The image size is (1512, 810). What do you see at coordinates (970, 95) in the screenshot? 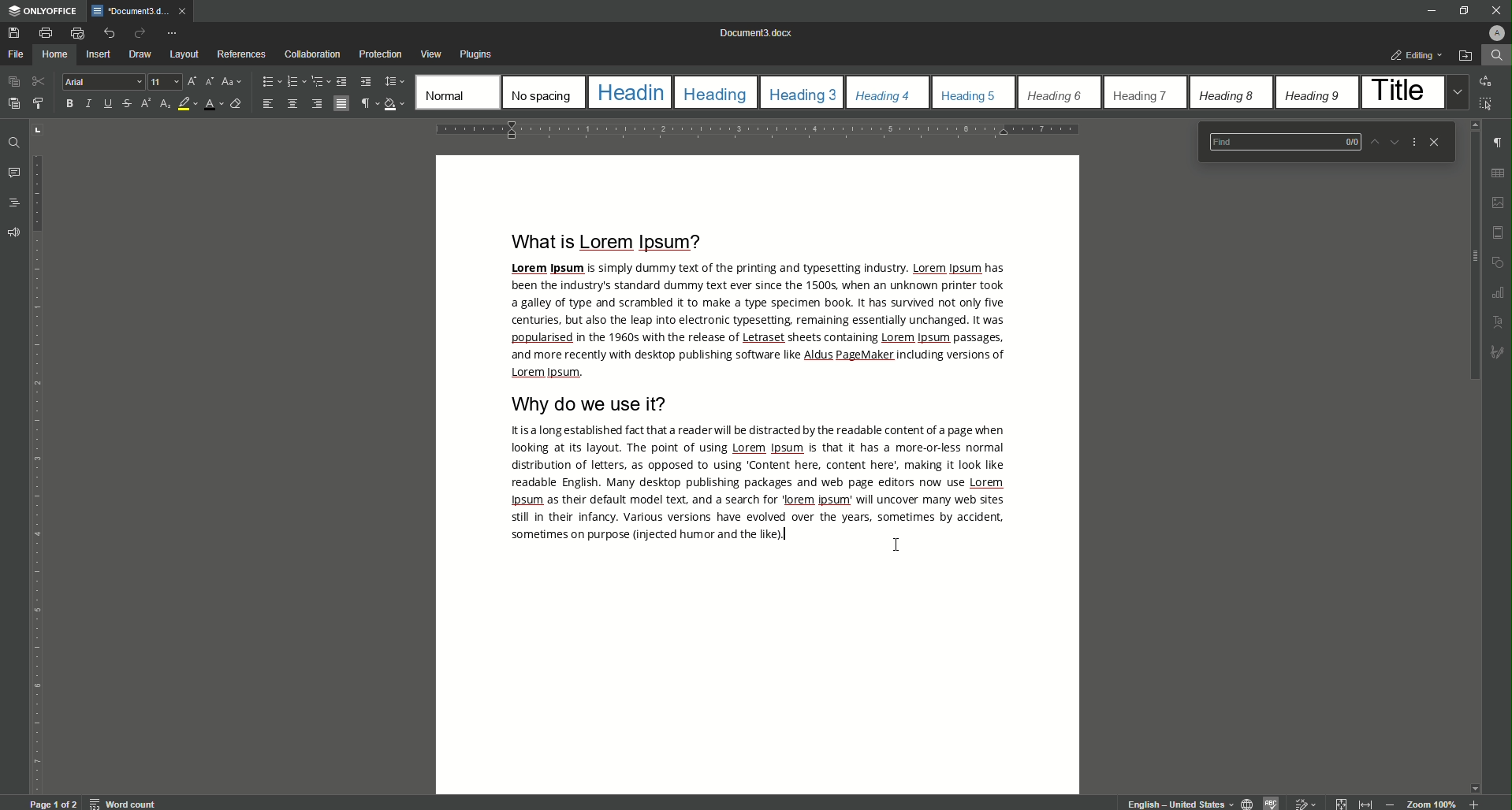
I see `Heading 5` at bounding box center [970, 95].